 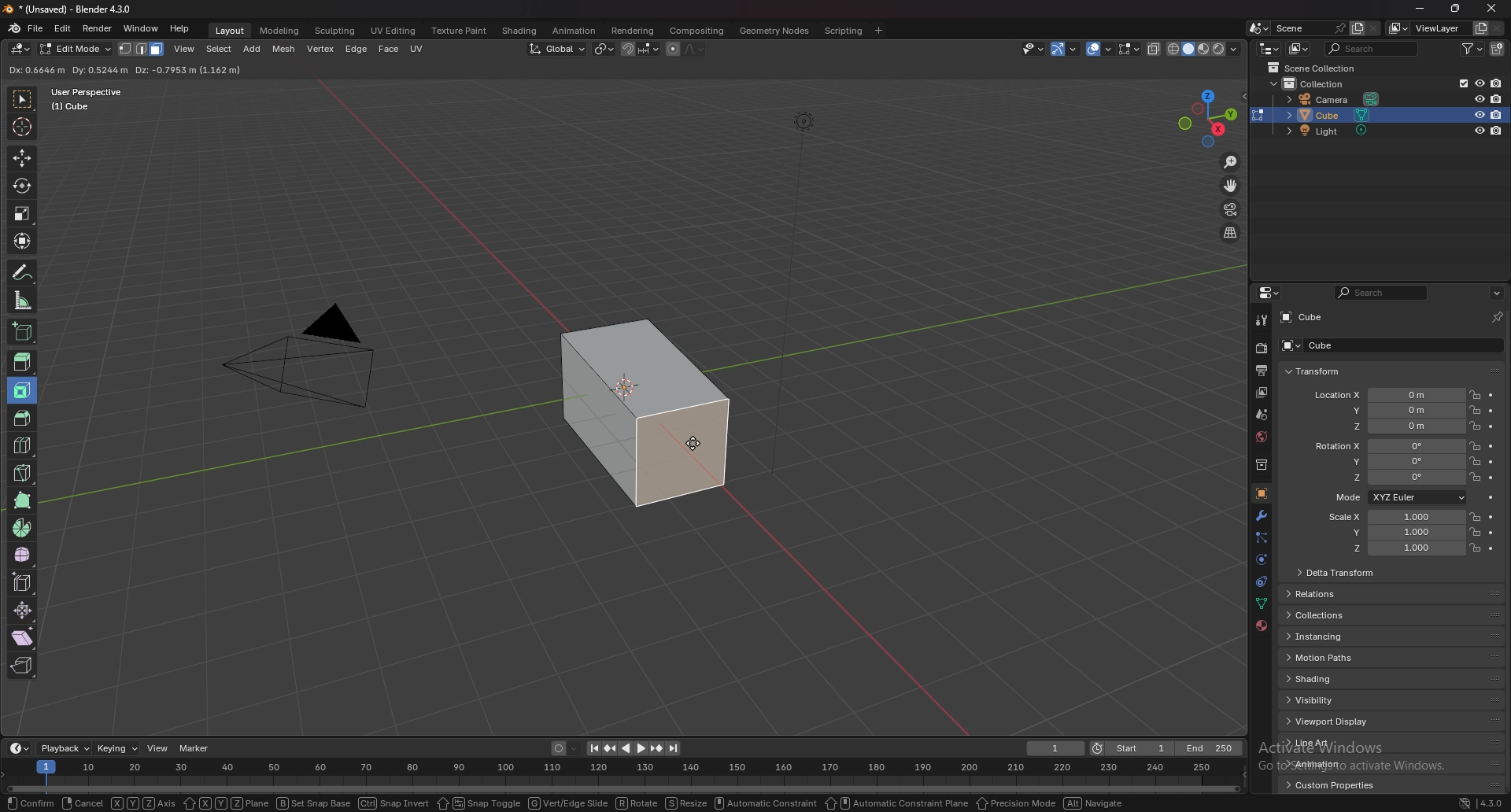 I want to click on jump to endpoint, so click(x=592, y=748).